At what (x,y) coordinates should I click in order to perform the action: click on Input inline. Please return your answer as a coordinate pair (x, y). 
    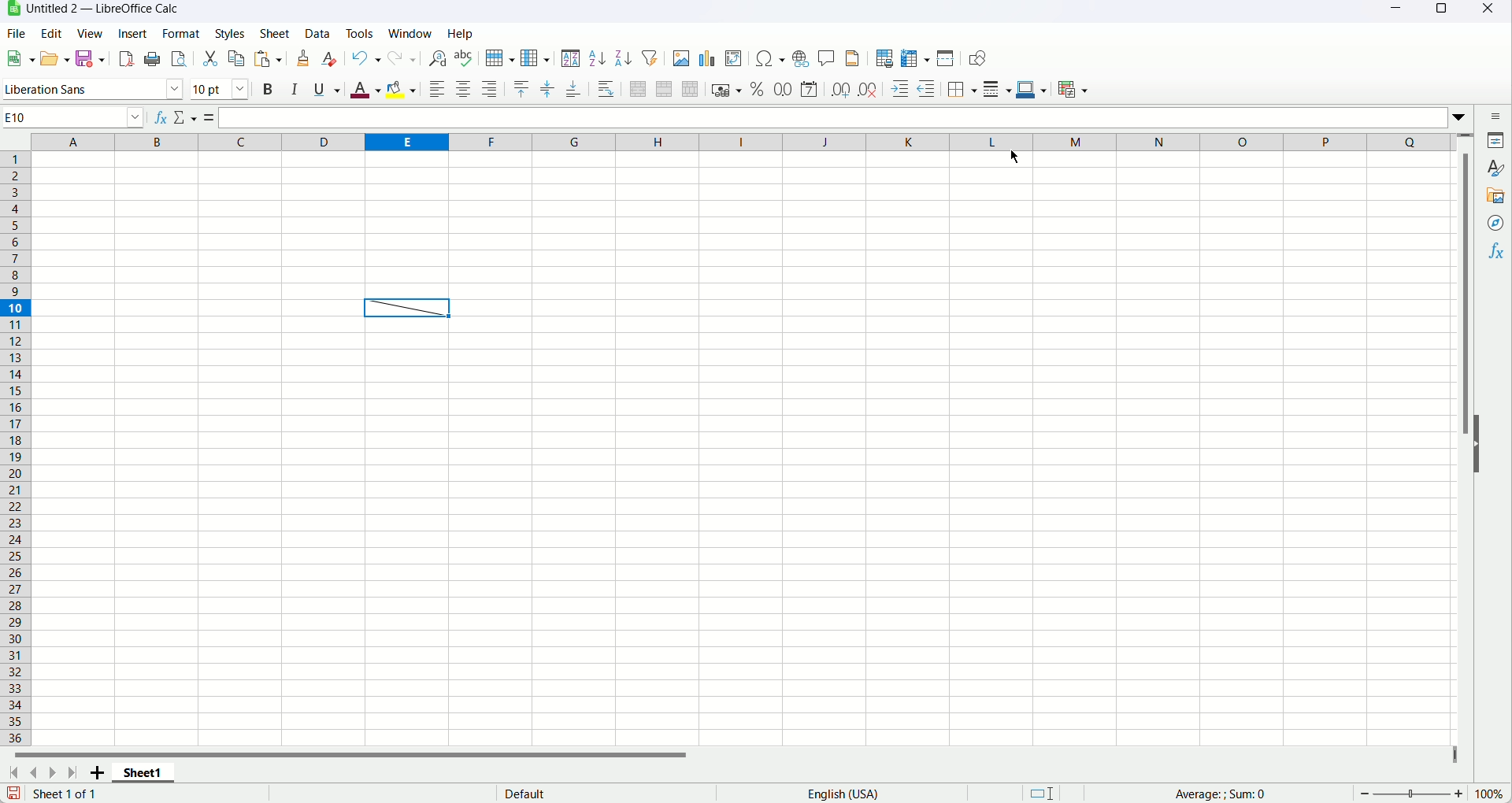
    Looking at the image, I should click on (850, 119).